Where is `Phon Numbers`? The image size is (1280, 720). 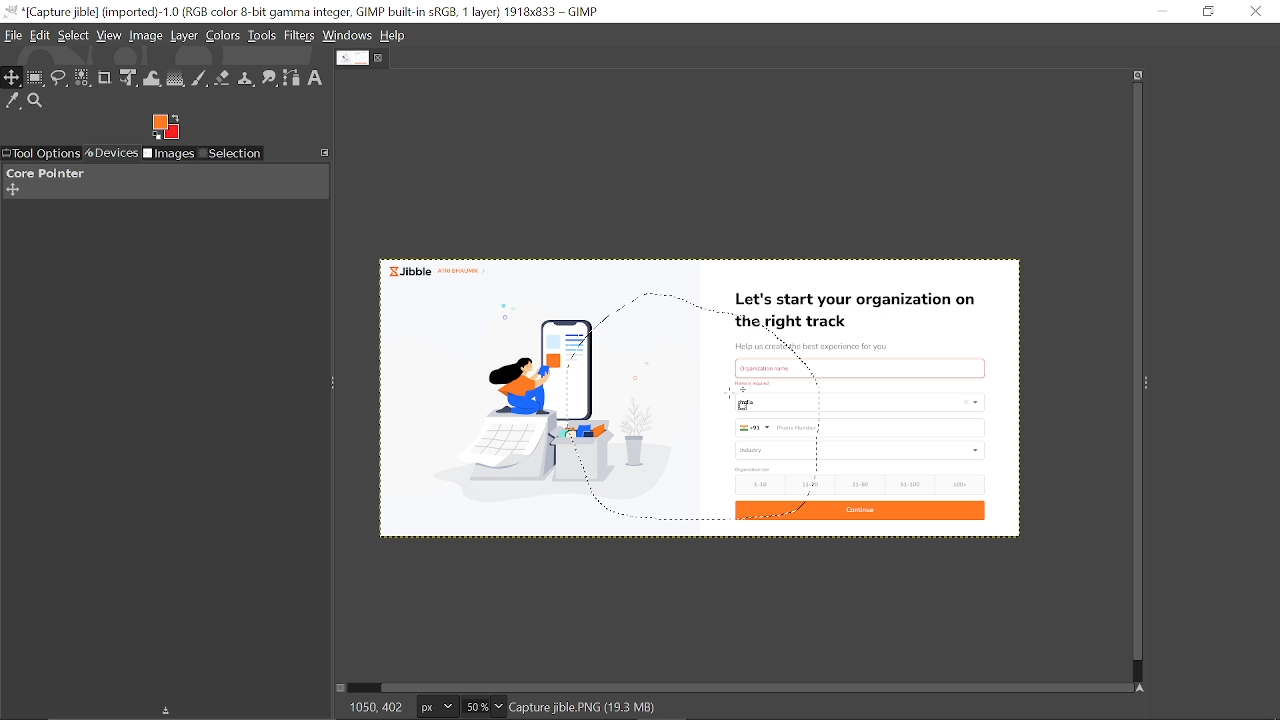
Phon Numbers is located at coordinates (861, 428).